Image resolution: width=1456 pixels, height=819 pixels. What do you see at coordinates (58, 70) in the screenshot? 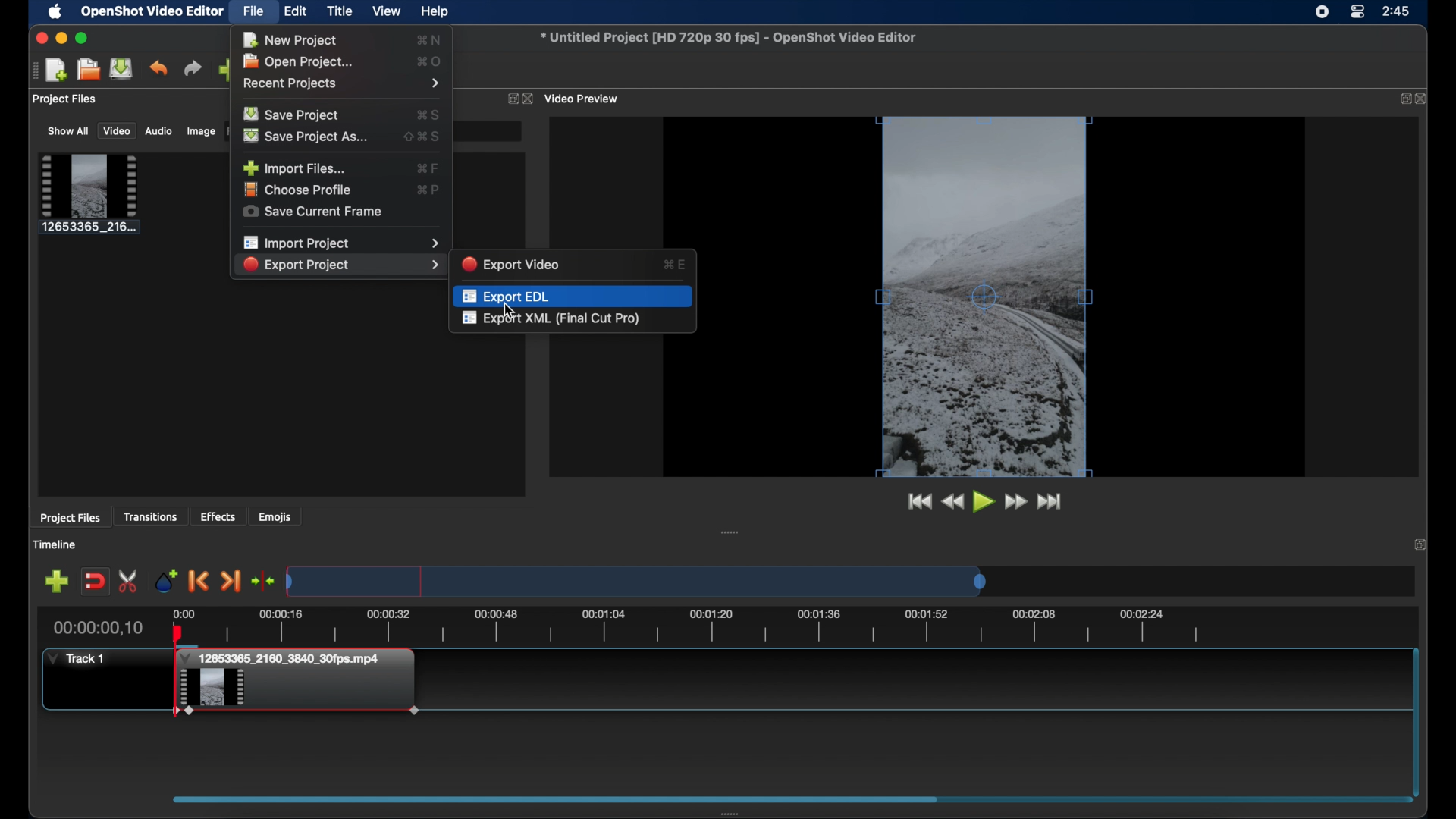
I see `new project` at bounding box center [58, 70].